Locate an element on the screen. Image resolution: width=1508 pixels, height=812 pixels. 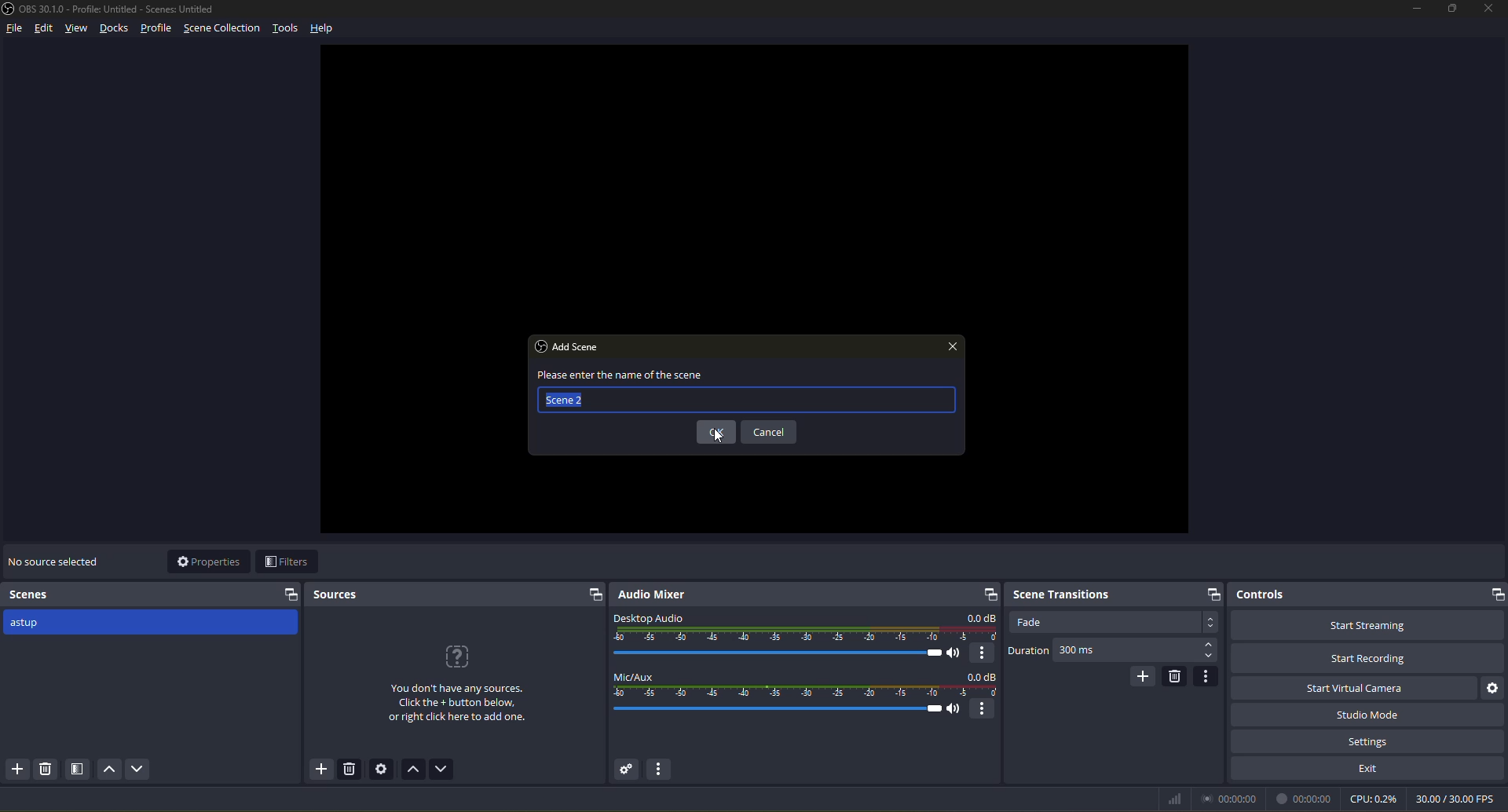
file is located at coordinates (16, 27).